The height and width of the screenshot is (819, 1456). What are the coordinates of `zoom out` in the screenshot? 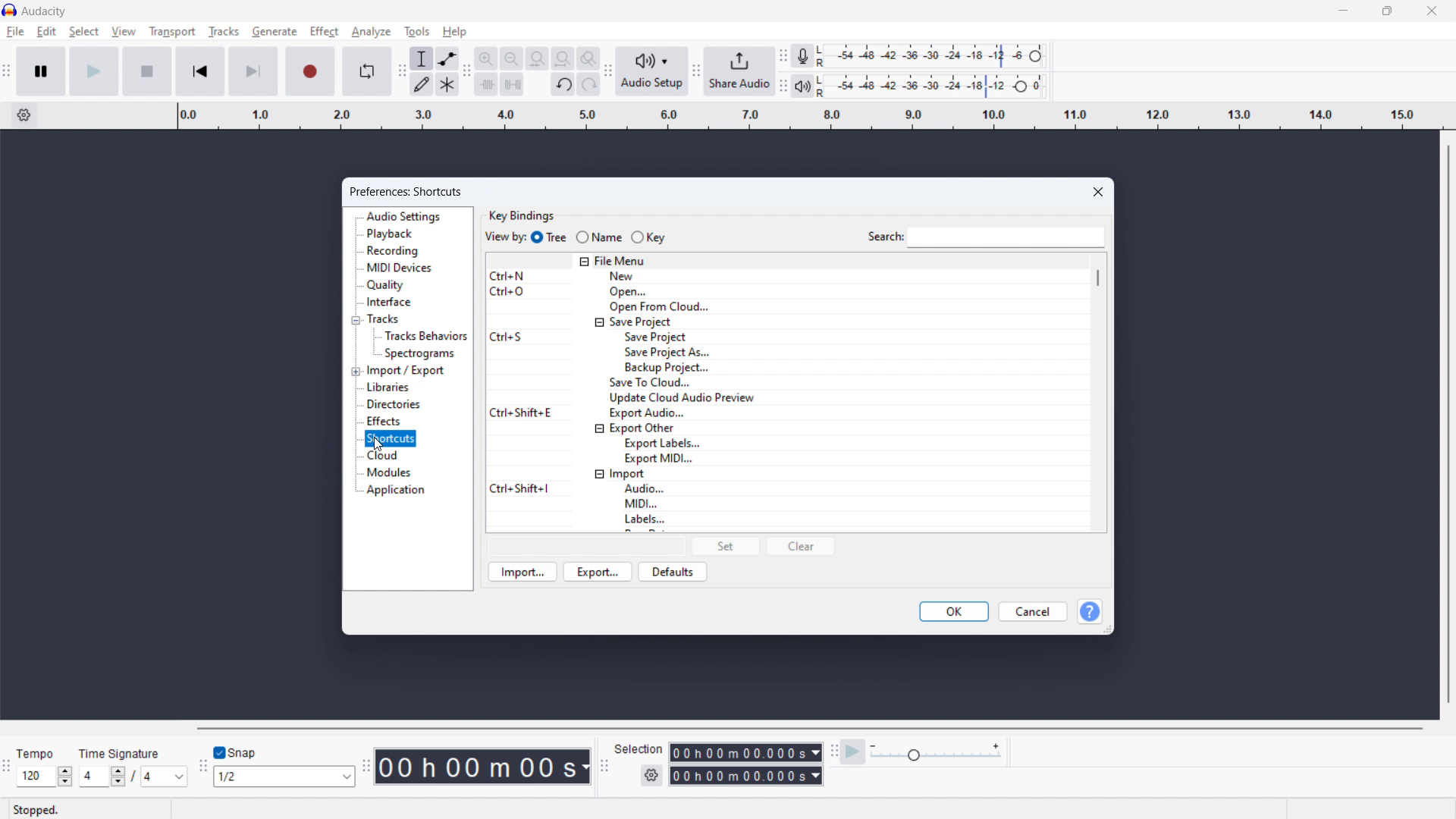 It's located at (510, 58).